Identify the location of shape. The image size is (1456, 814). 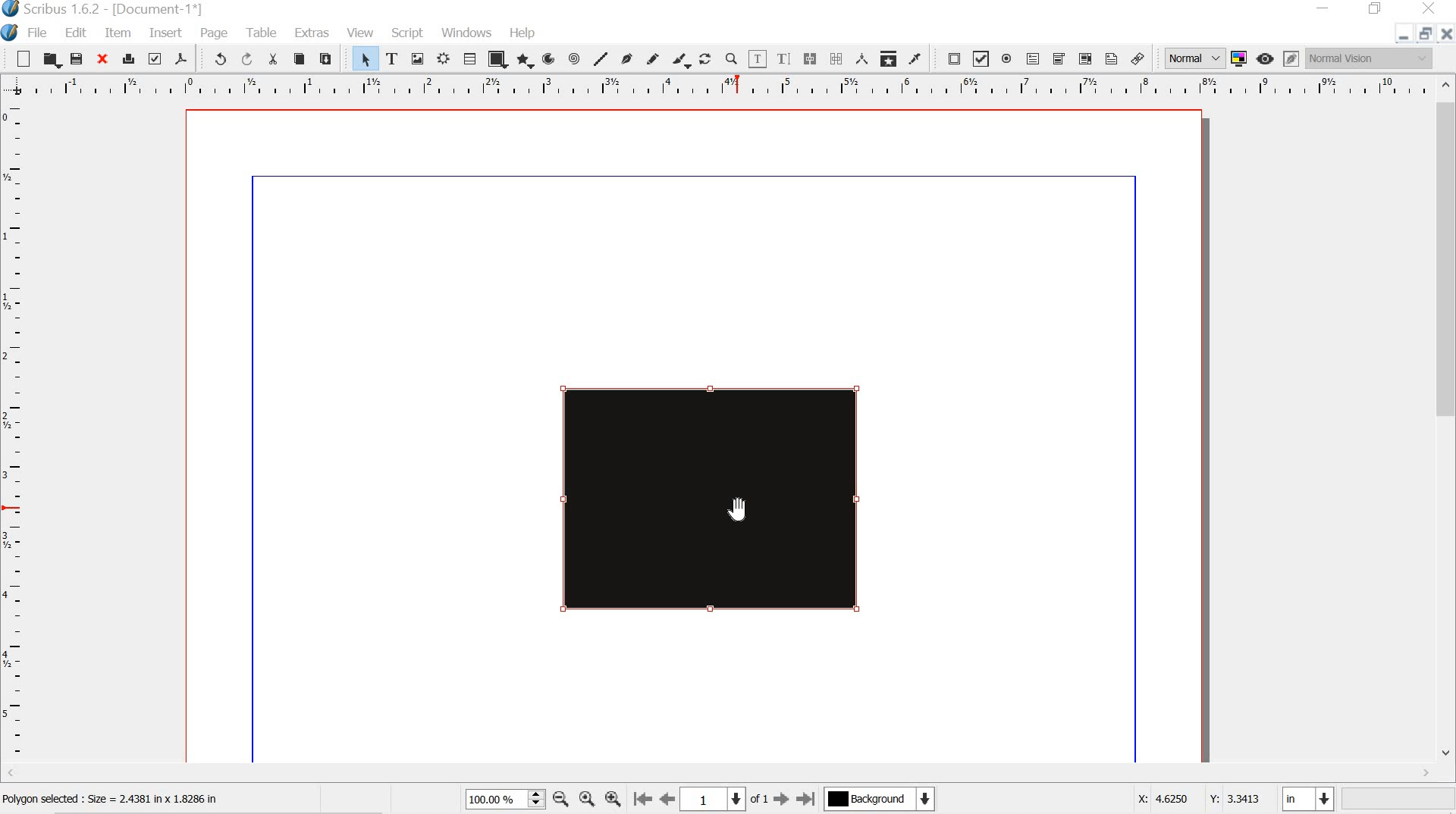
(497, 59).